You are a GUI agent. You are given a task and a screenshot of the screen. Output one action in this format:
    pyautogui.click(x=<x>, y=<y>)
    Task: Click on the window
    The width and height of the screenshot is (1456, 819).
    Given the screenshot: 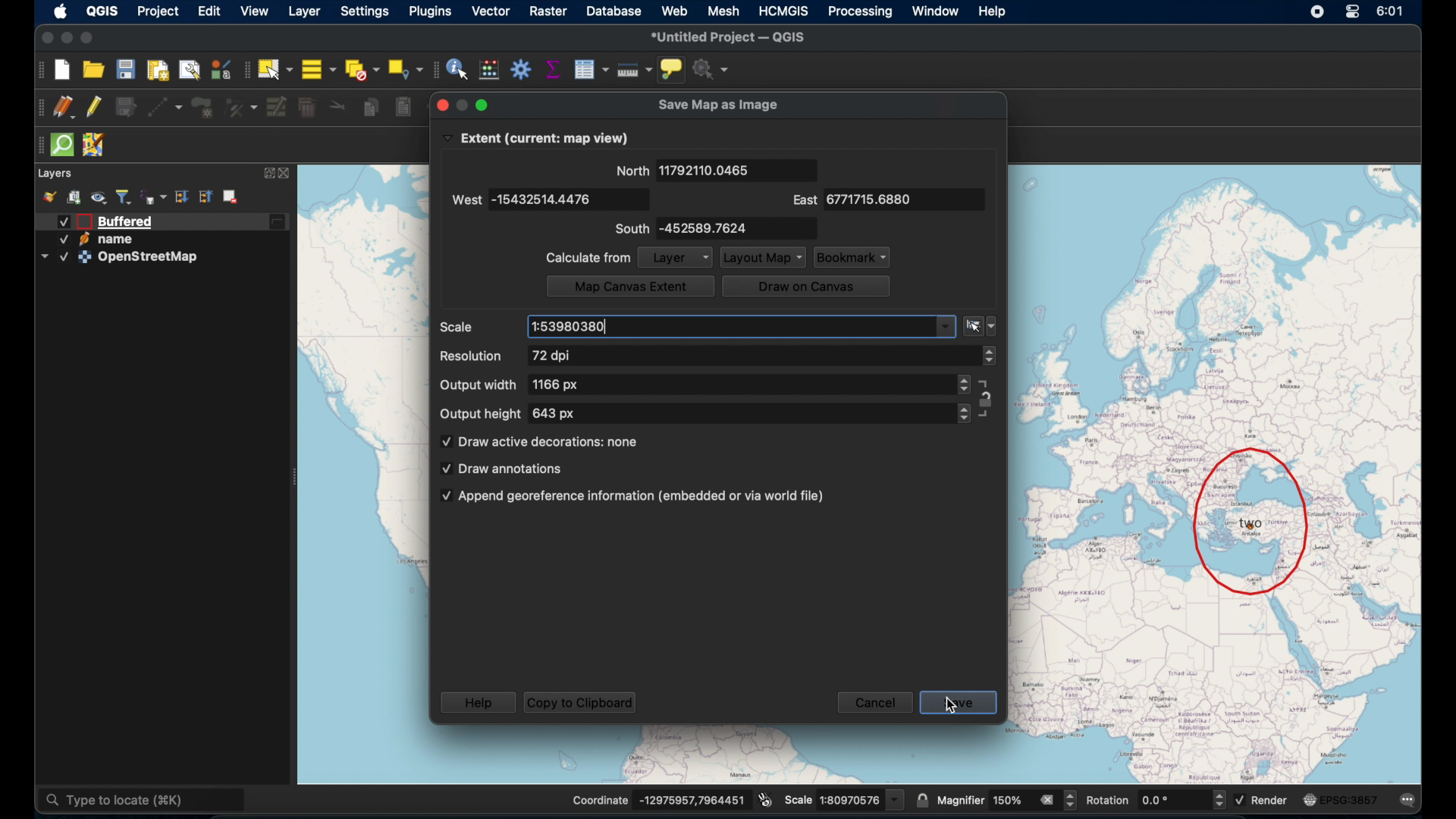 What is the action you would take?
    pyautogui.click(x=937, y=12)
    